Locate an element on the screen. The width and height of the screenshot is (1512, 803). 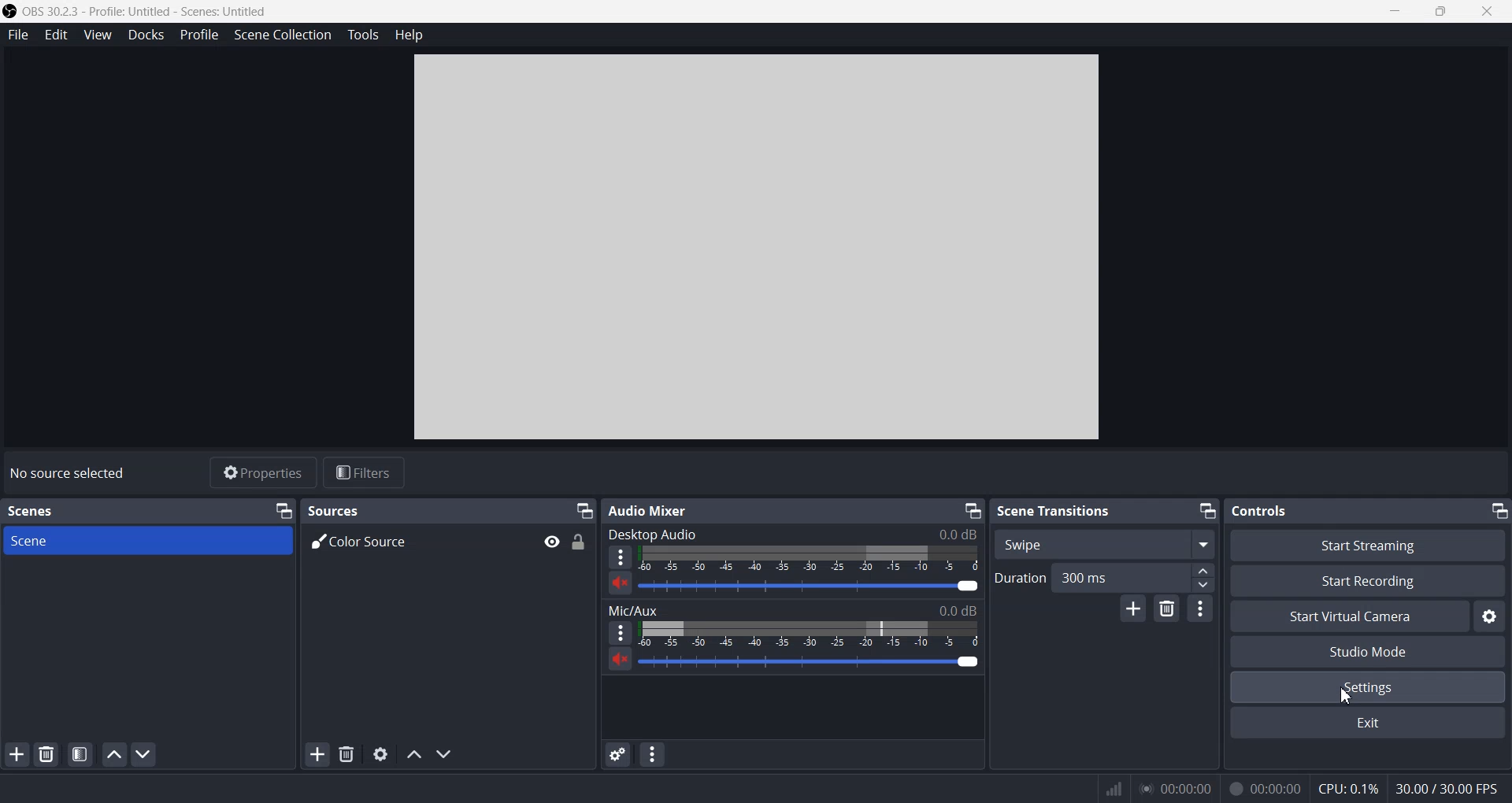
Text is located at coordinates (792, 608).